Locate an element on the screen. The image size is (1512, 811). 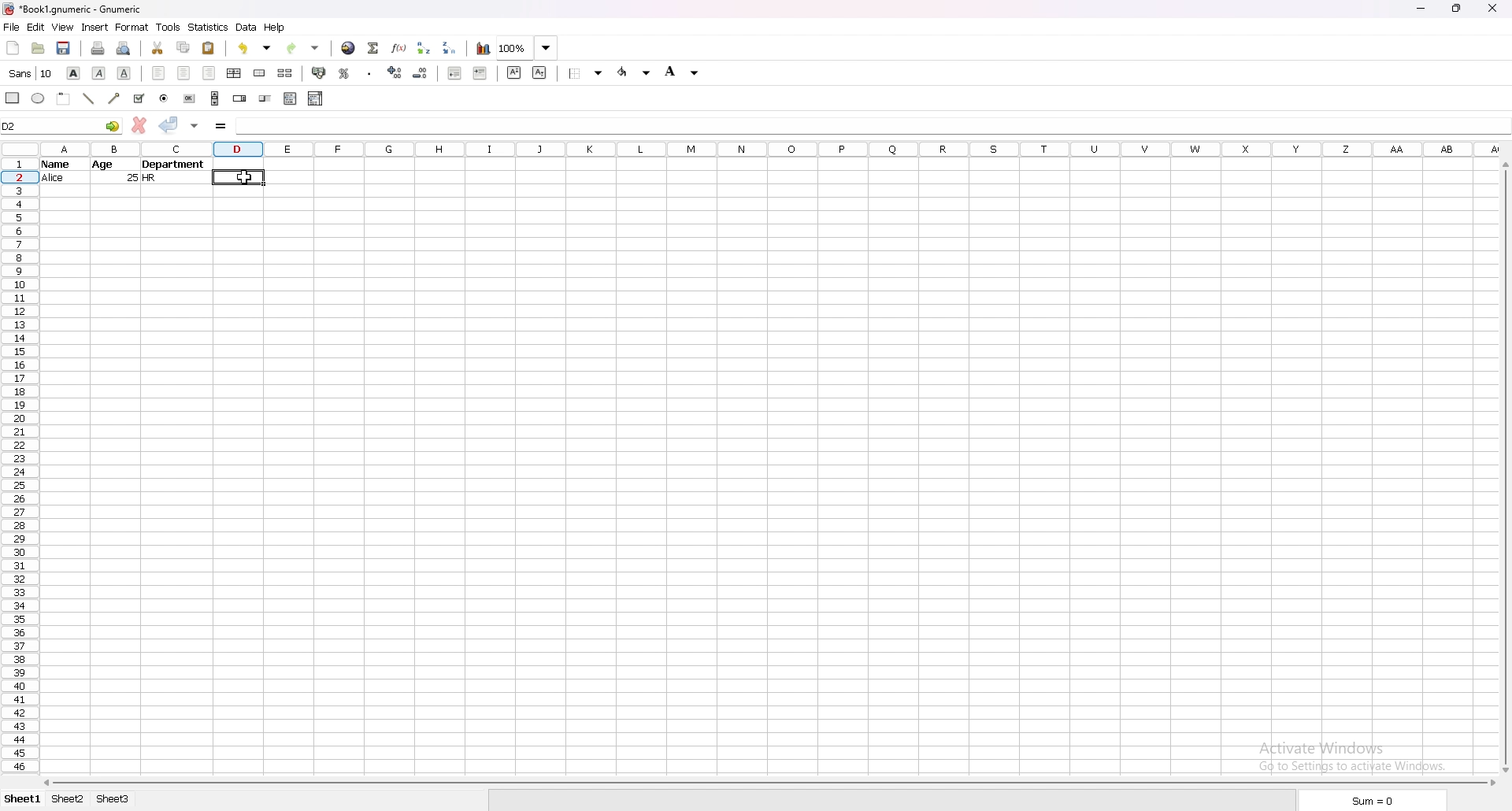
data is located at coordinates (246, 28).